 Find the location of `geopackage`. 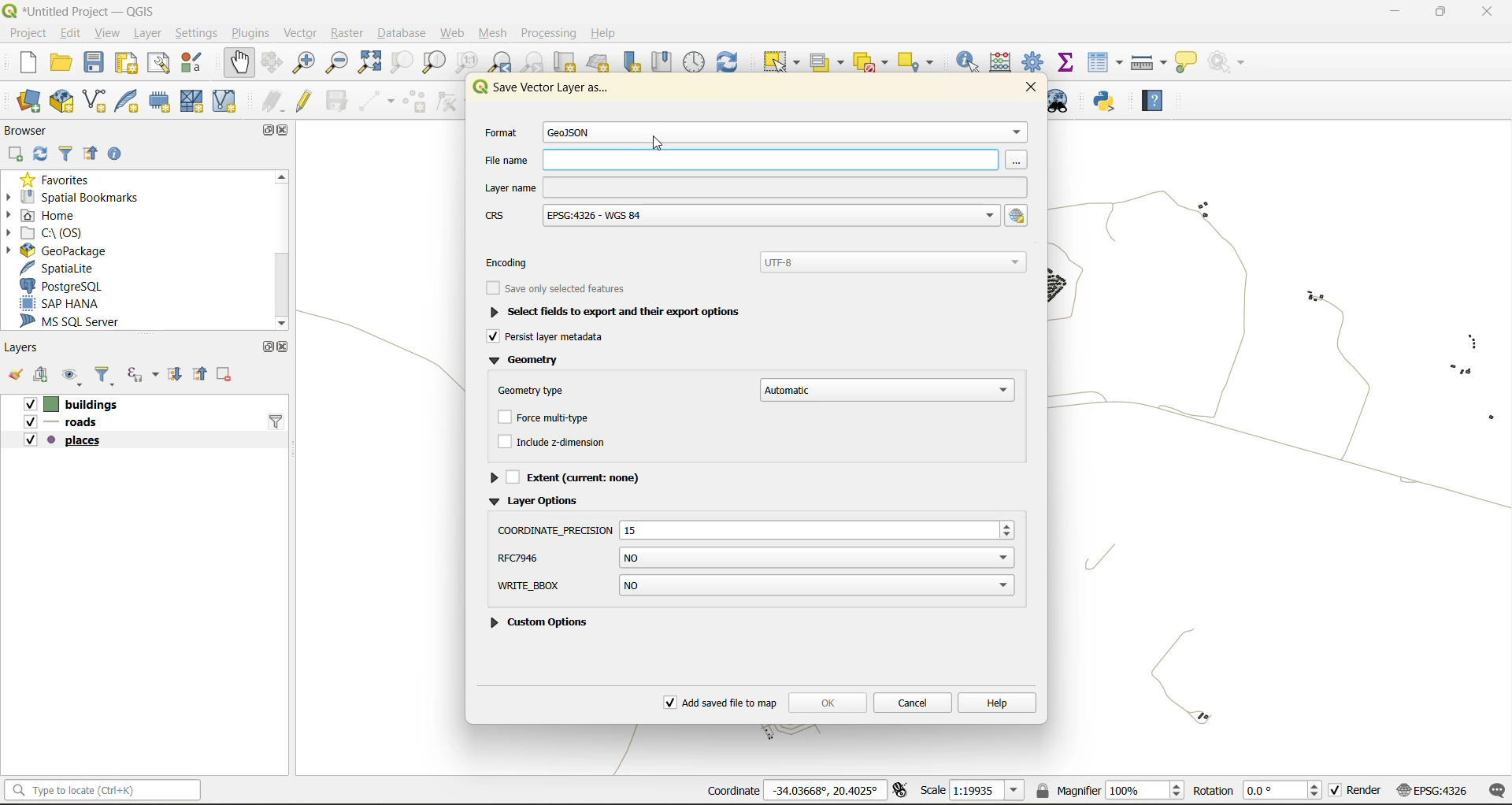

geopackage is located at coordinates (67, 252).